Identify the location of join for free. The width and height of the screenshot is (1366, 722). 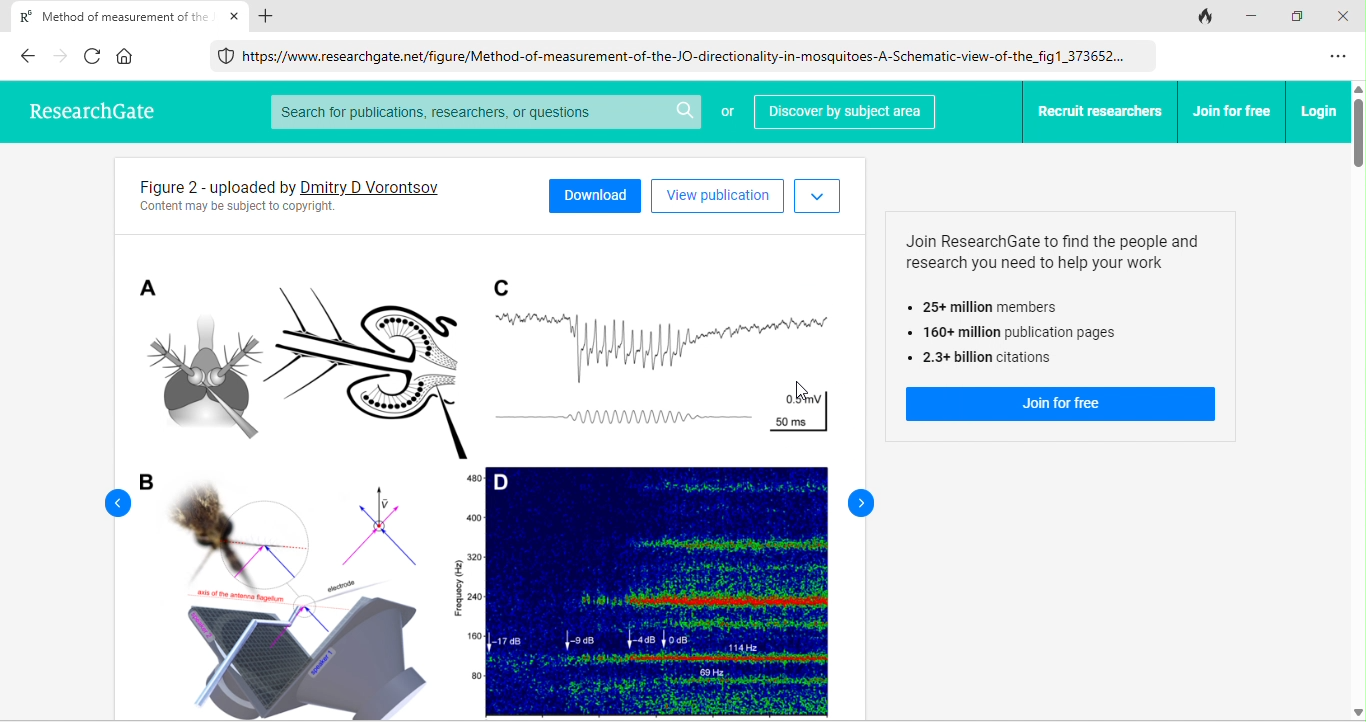
(1233, 111).